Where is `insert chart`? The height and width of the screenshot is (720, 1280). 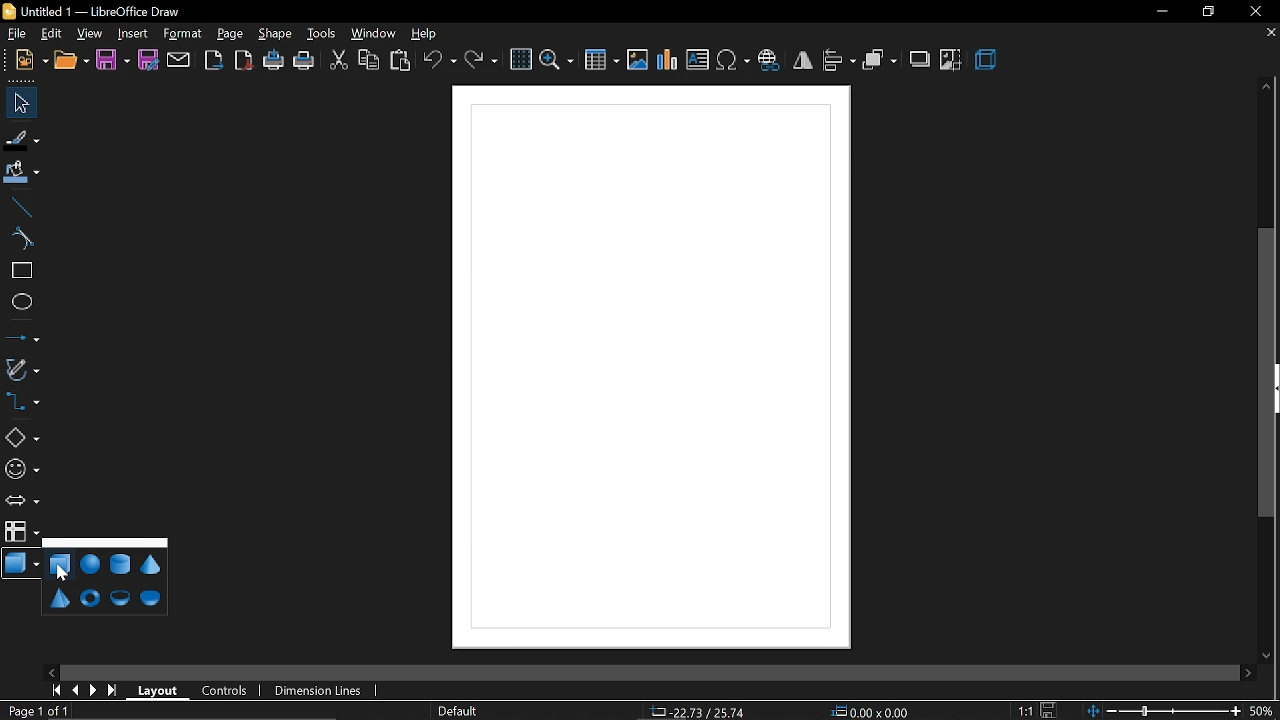 insert chart is located at coordinates (668, 60).